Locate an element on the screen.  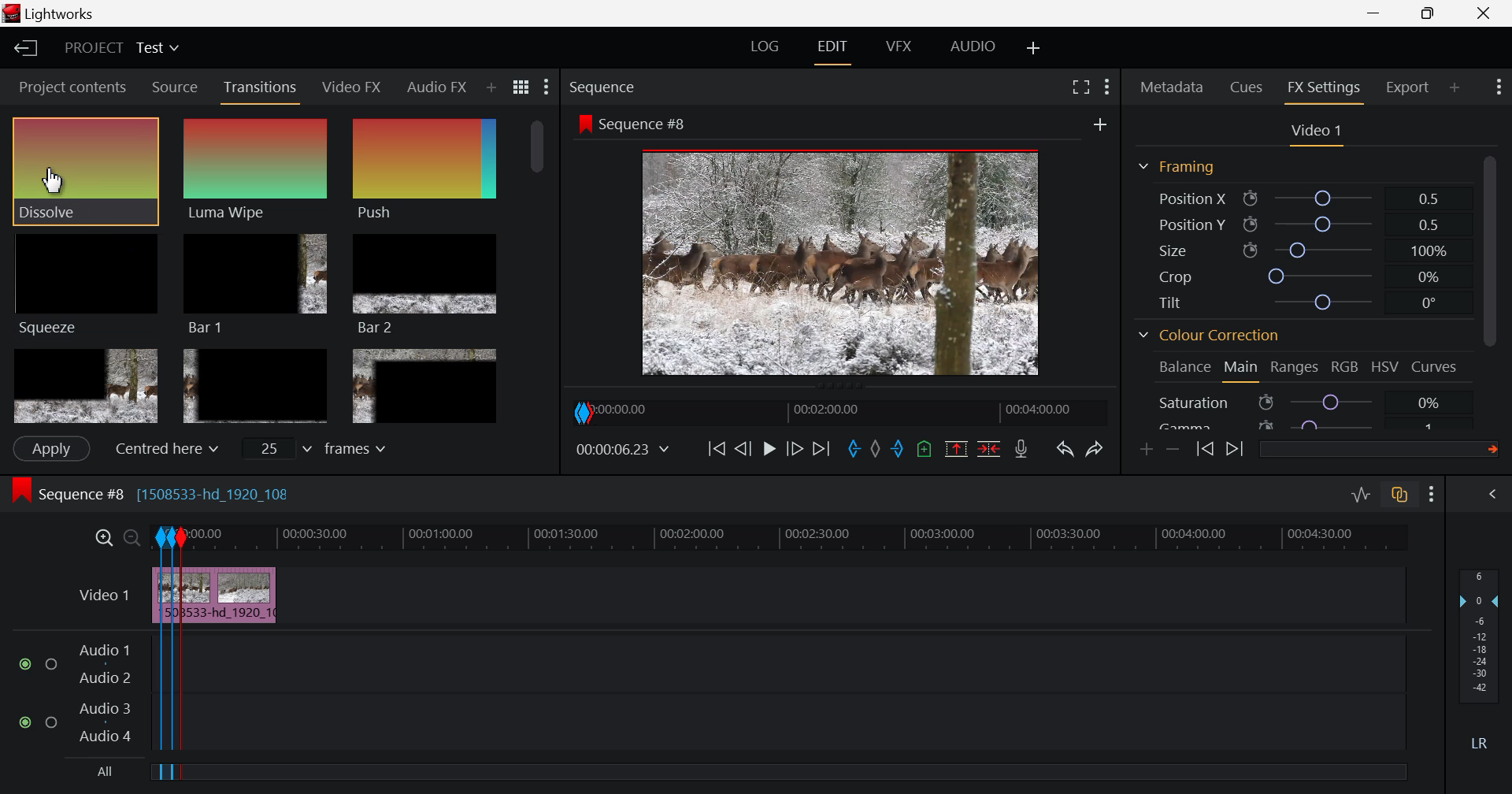
Previous keyframe is located at coordinates (1206, 451).